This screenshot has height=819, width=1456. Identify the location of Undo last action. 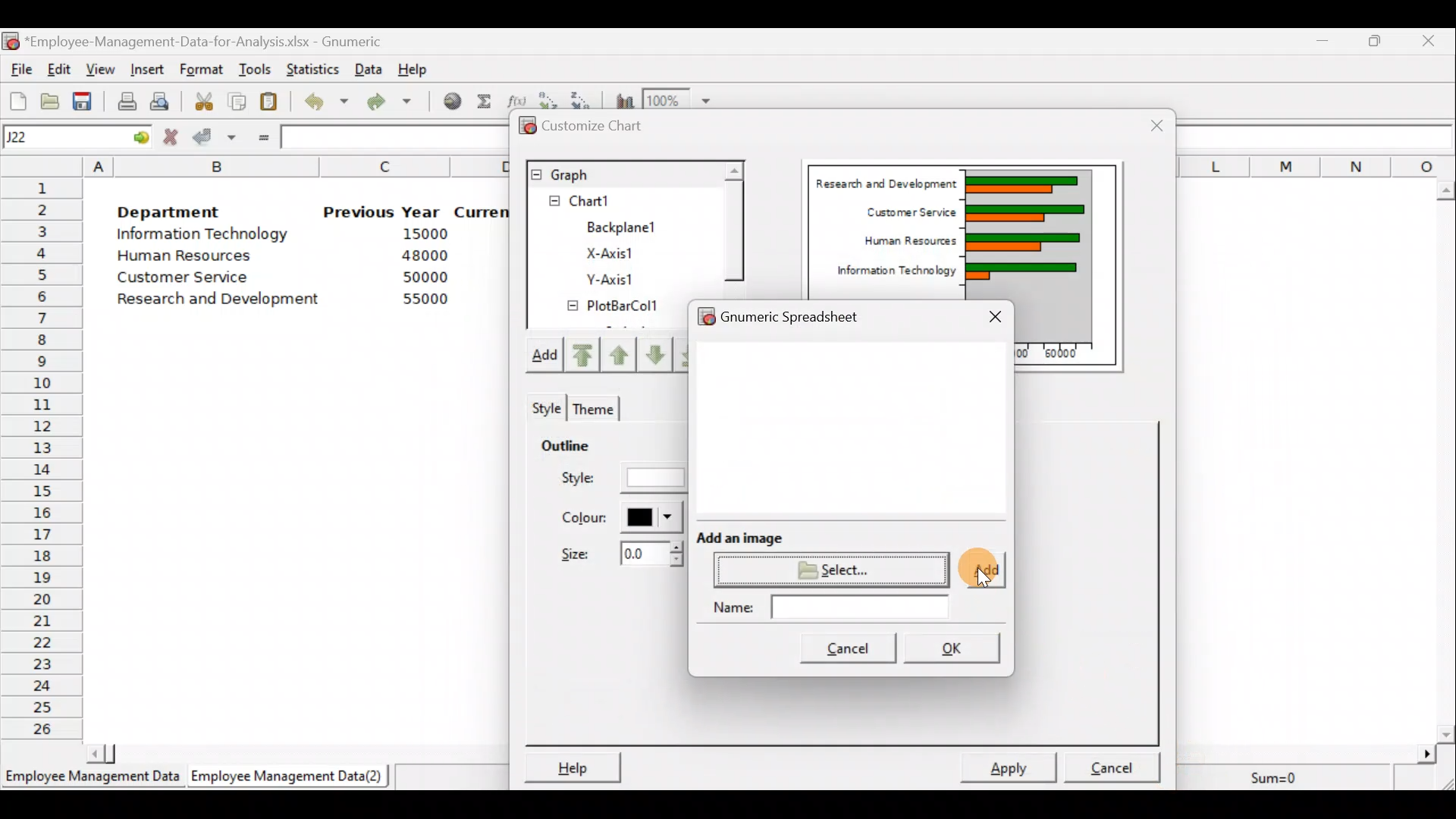
(328, 105).